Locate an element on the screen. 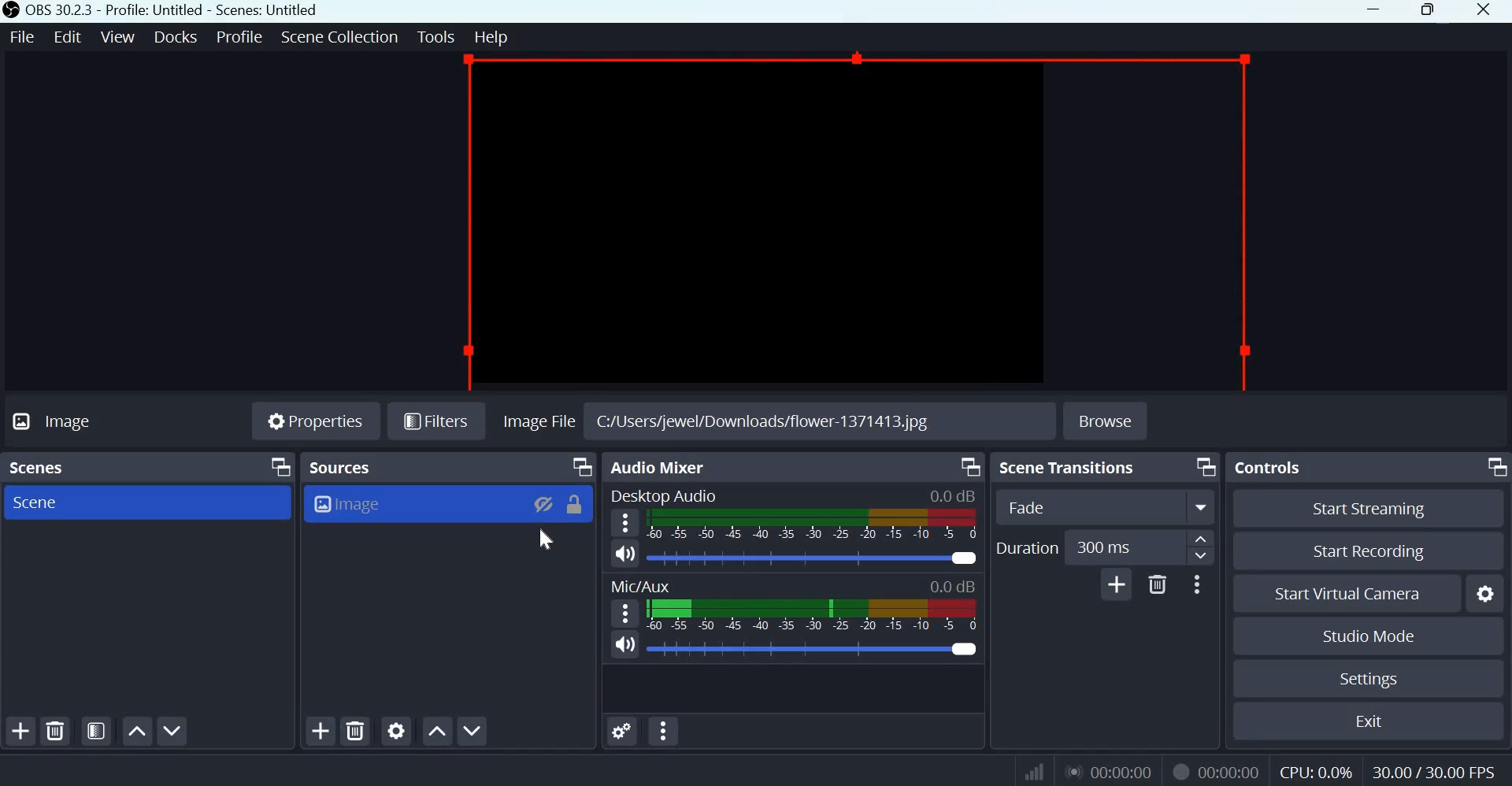  OBS studio logo is located at coordinates (9, 11).